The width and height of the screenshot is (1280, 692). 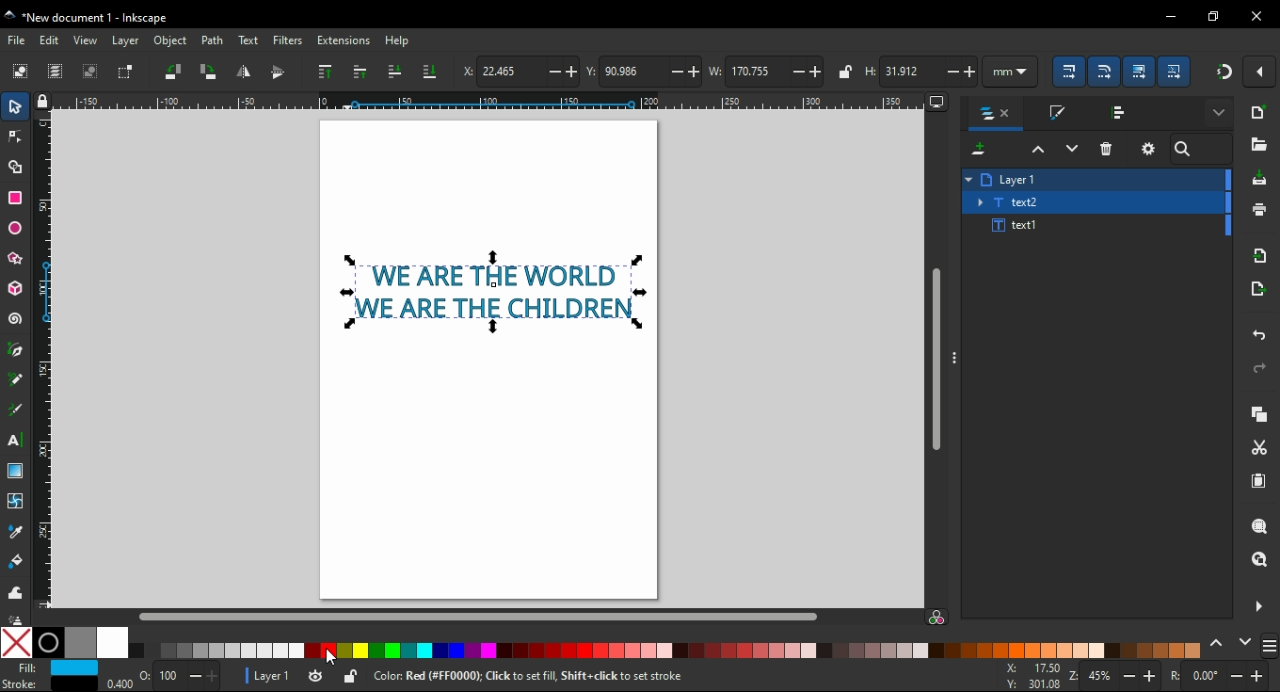 I want to click on node tool, so click(x=18, y=136).